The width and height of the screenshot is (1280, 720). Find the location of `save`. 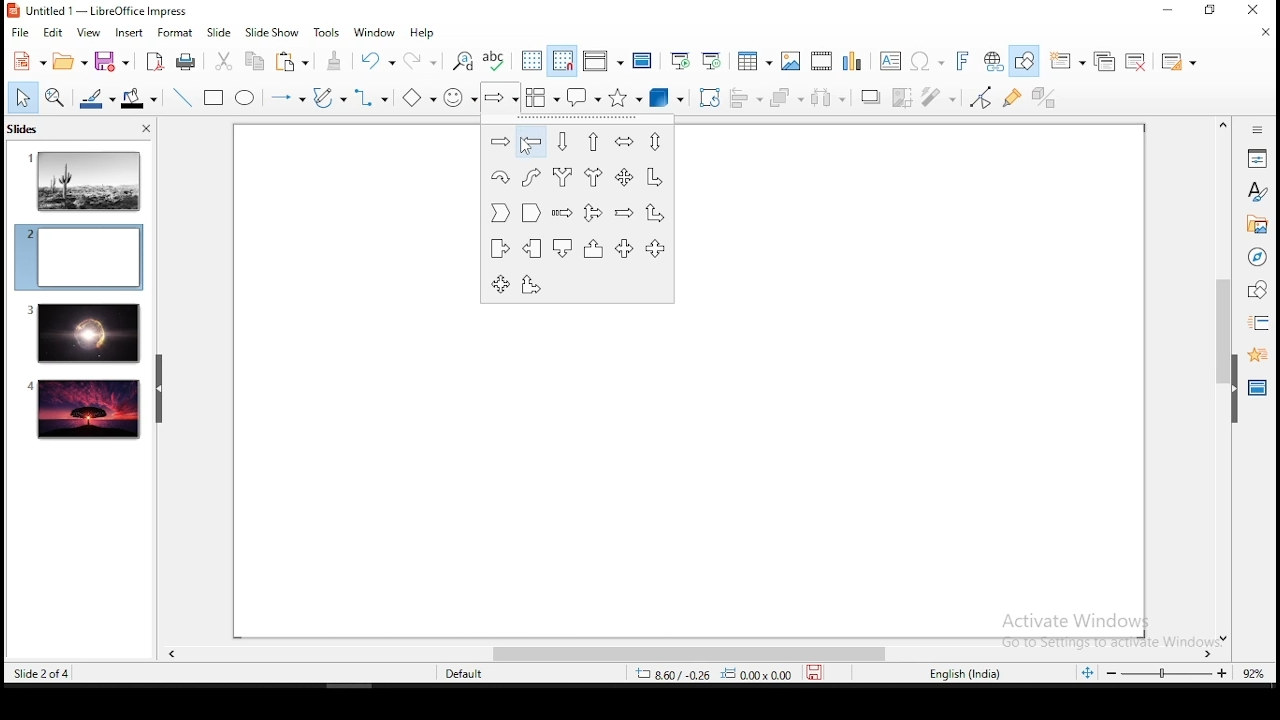

save is located at coordinates (819, 674).